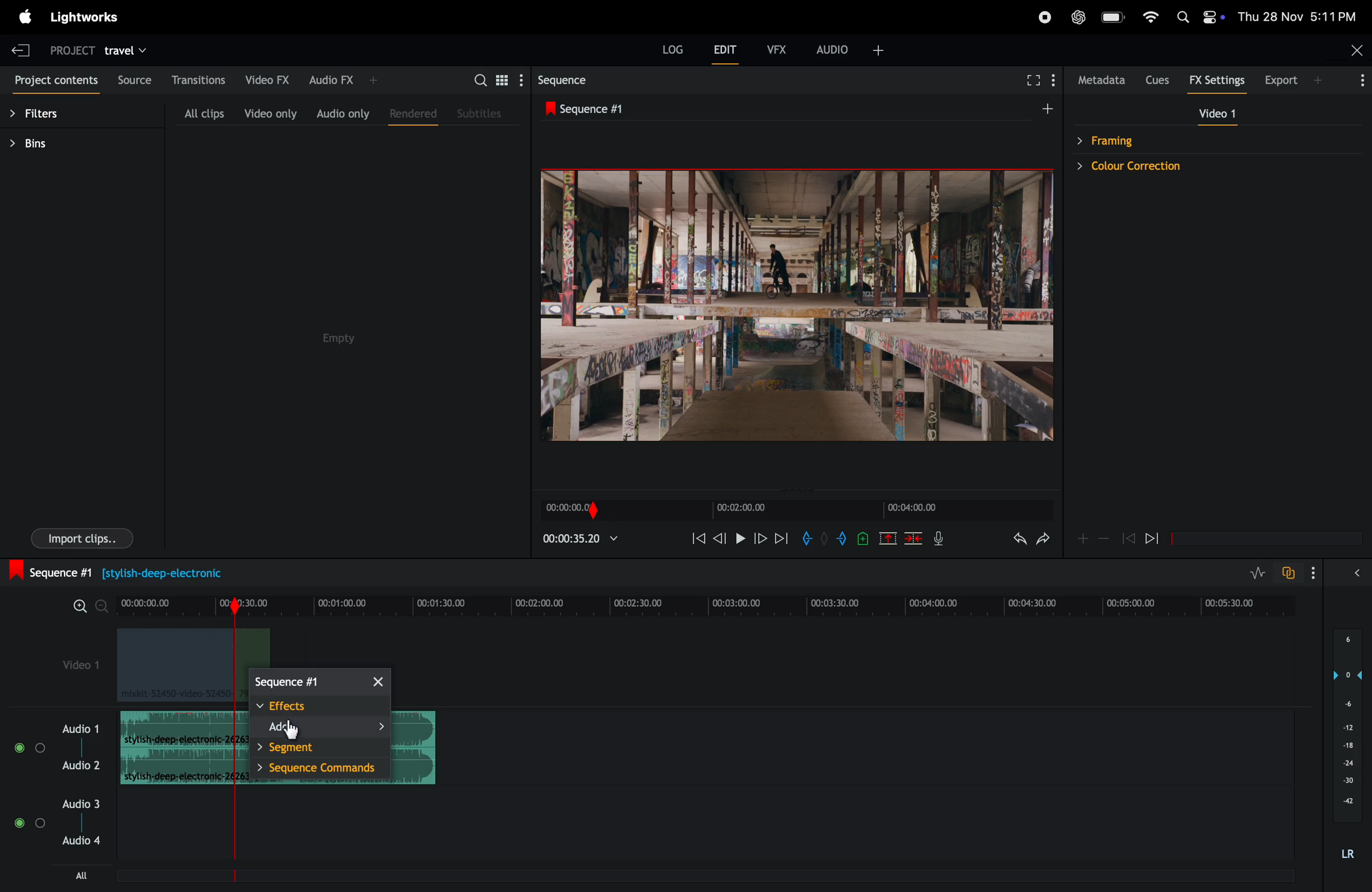 This screenshot has width=1372, height=892. Describe the element at coordinates (410, 114) in the screenshot. I see `rendered` at that location.